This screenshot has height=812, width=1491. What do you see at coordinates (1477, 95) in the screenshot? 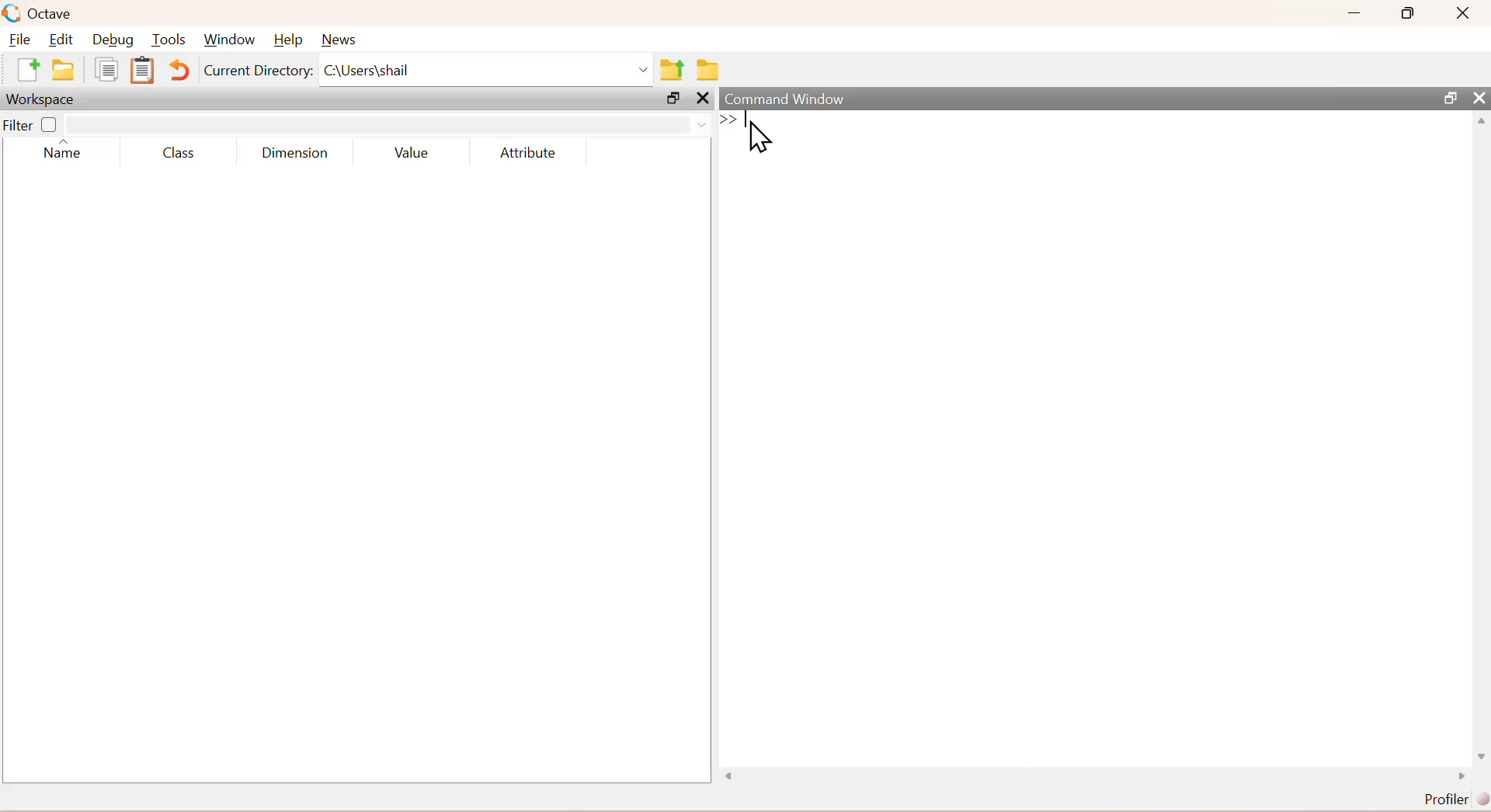
I see `Close` at bounding box center [1477, 95].